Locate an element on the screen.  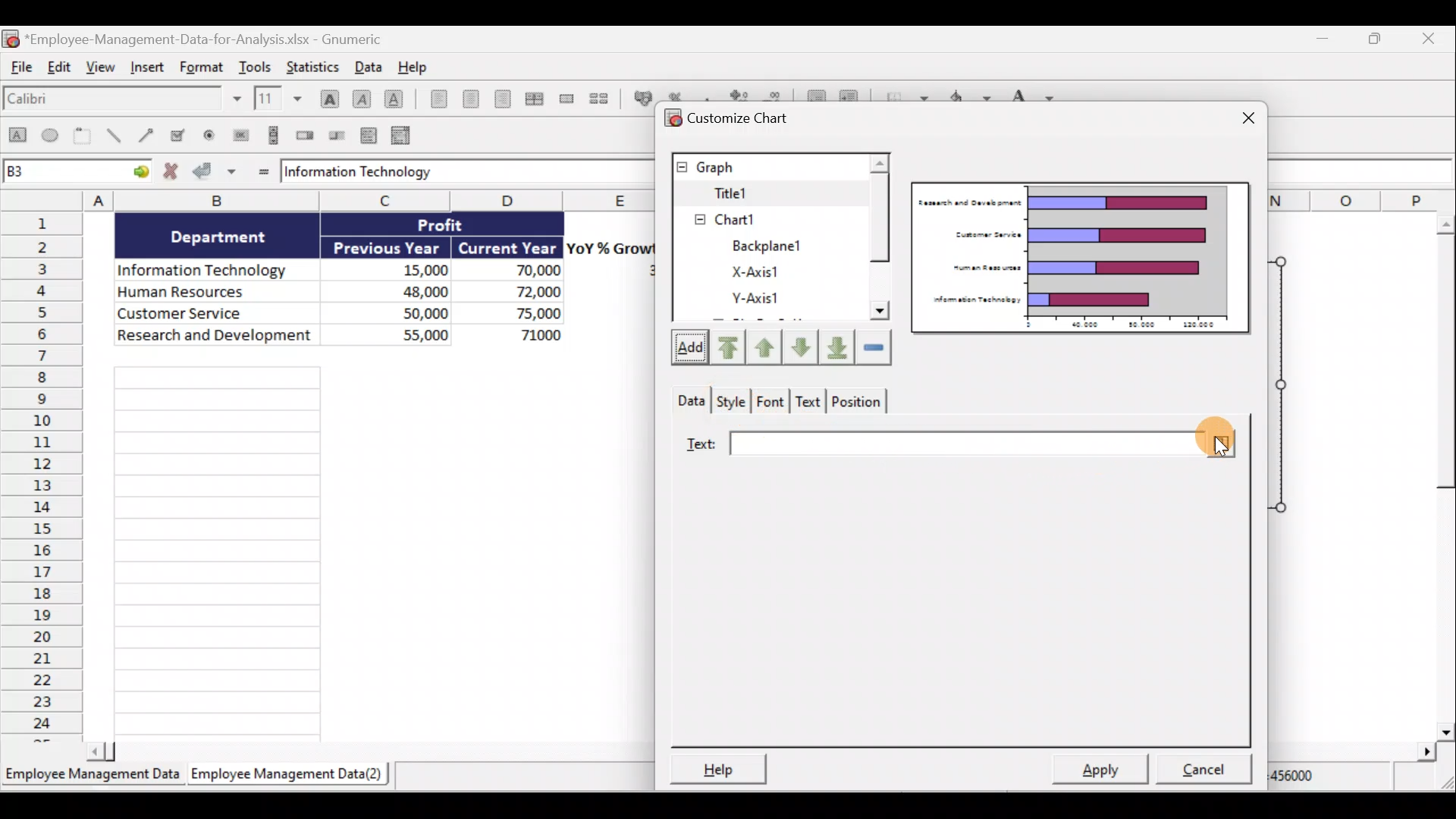
70,000 is located at coordinates (522, 271).